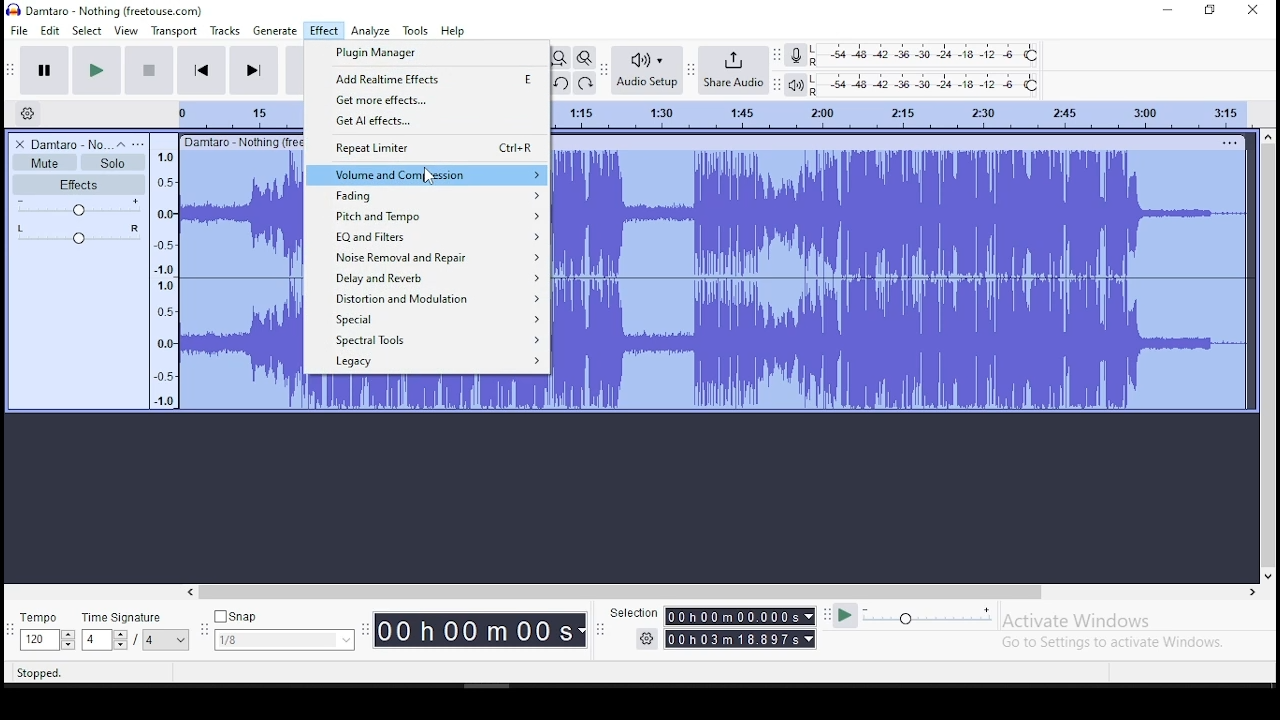  Describe the element at coordinates (562, 60) in the screenshot. I see `fit project to width` at that location.